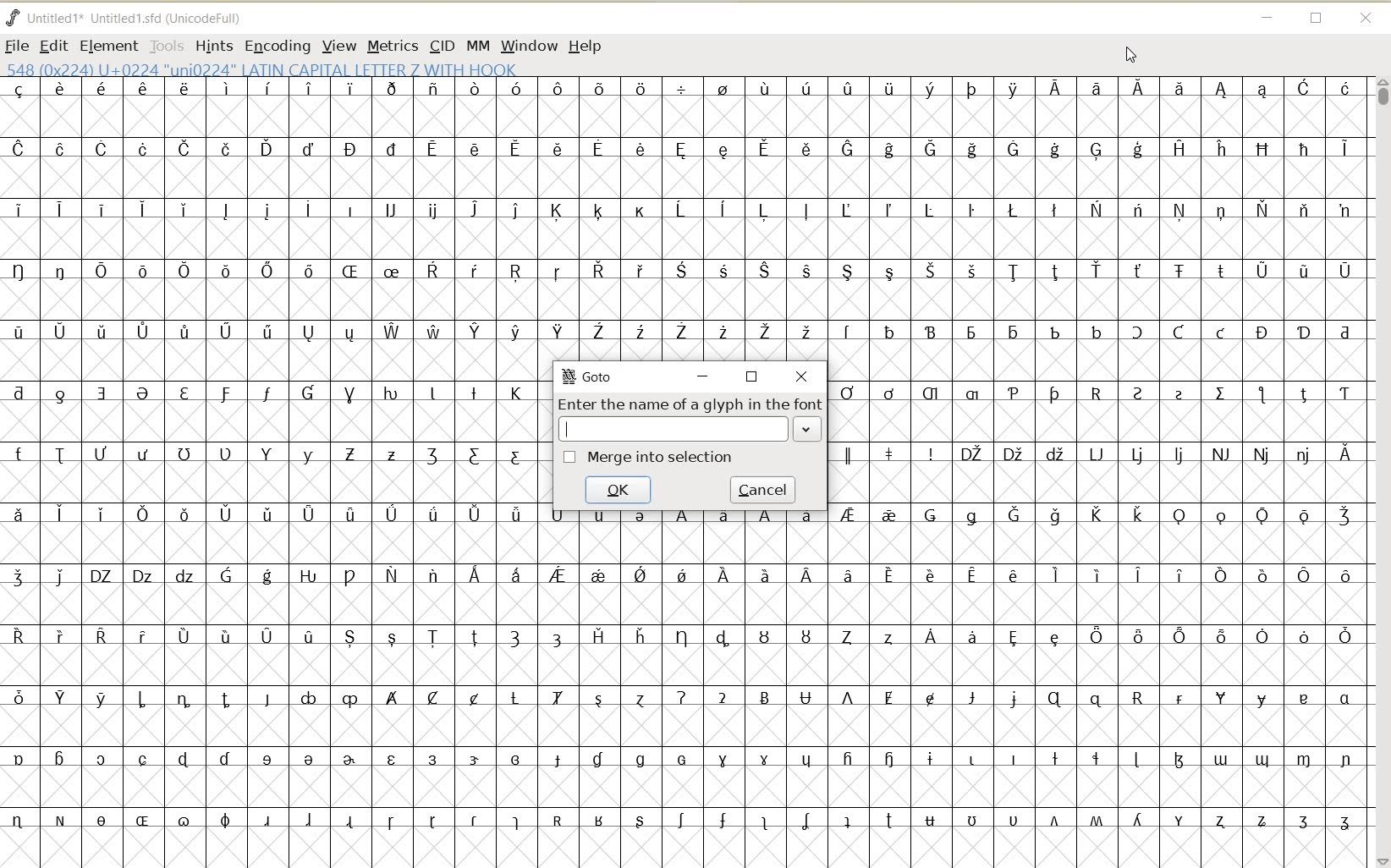  What do you see at coordinates (587, 47) in the screenshot?
I see `HELP` at bounding box center [587, 47].